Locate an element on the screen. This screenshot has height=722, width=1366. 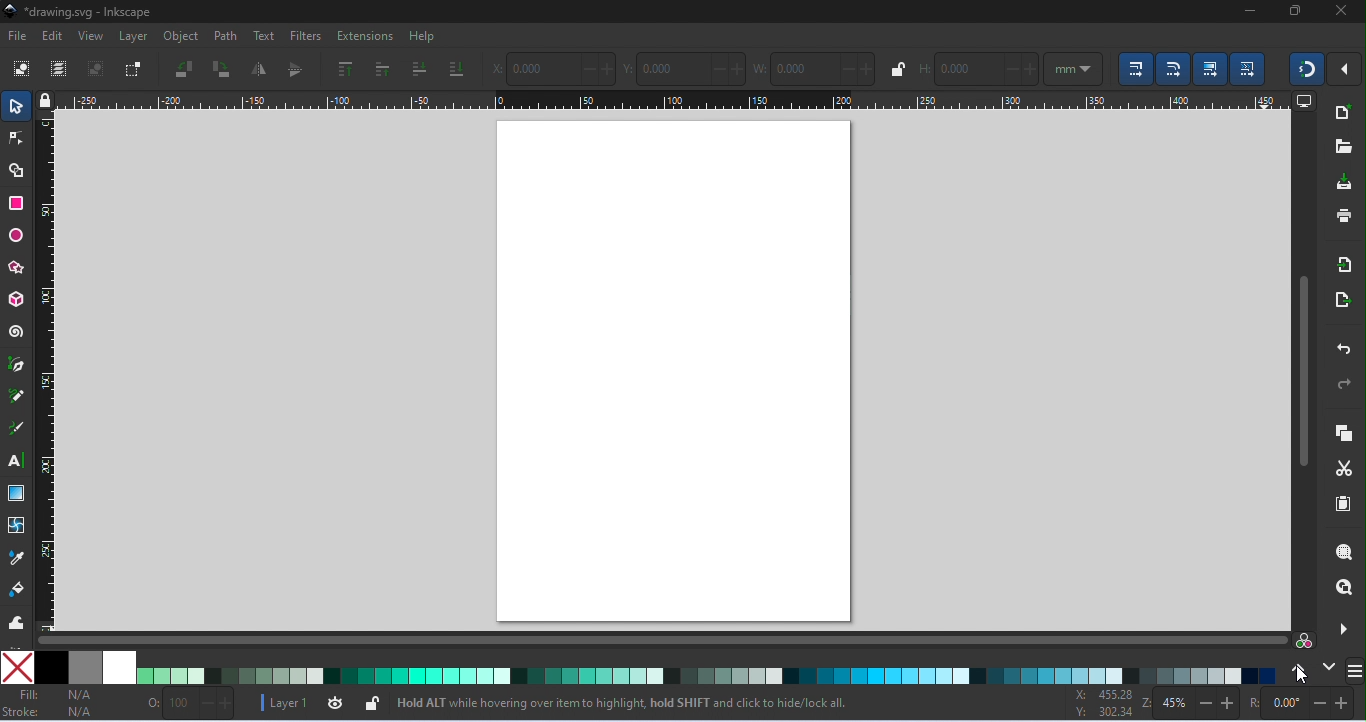
layer is located at coordinates (131, 37).